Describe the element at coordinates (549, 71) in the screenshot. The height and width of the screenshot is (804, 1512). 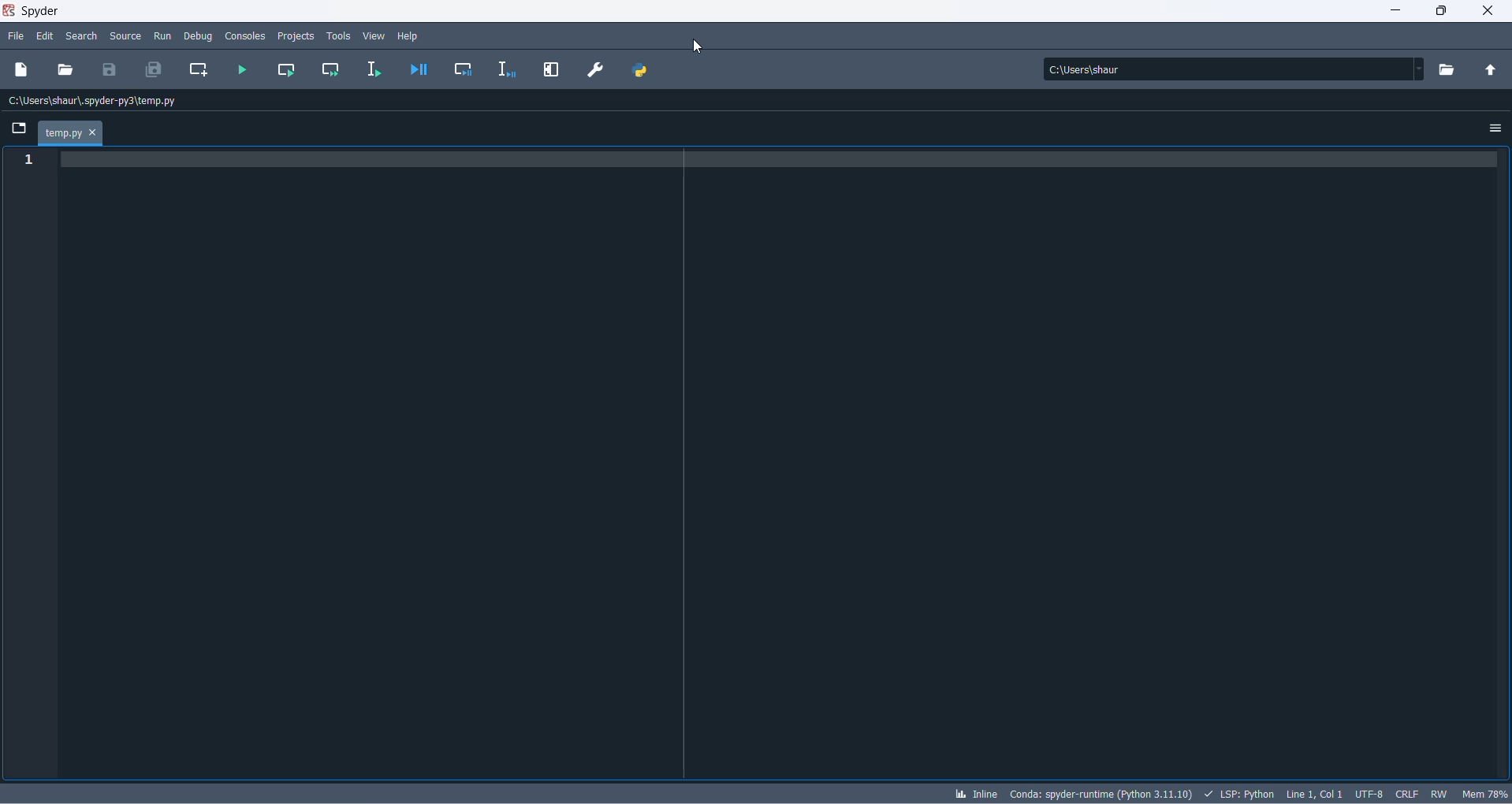
I see `MAXIMIZE CURRENT PANE` at that location.